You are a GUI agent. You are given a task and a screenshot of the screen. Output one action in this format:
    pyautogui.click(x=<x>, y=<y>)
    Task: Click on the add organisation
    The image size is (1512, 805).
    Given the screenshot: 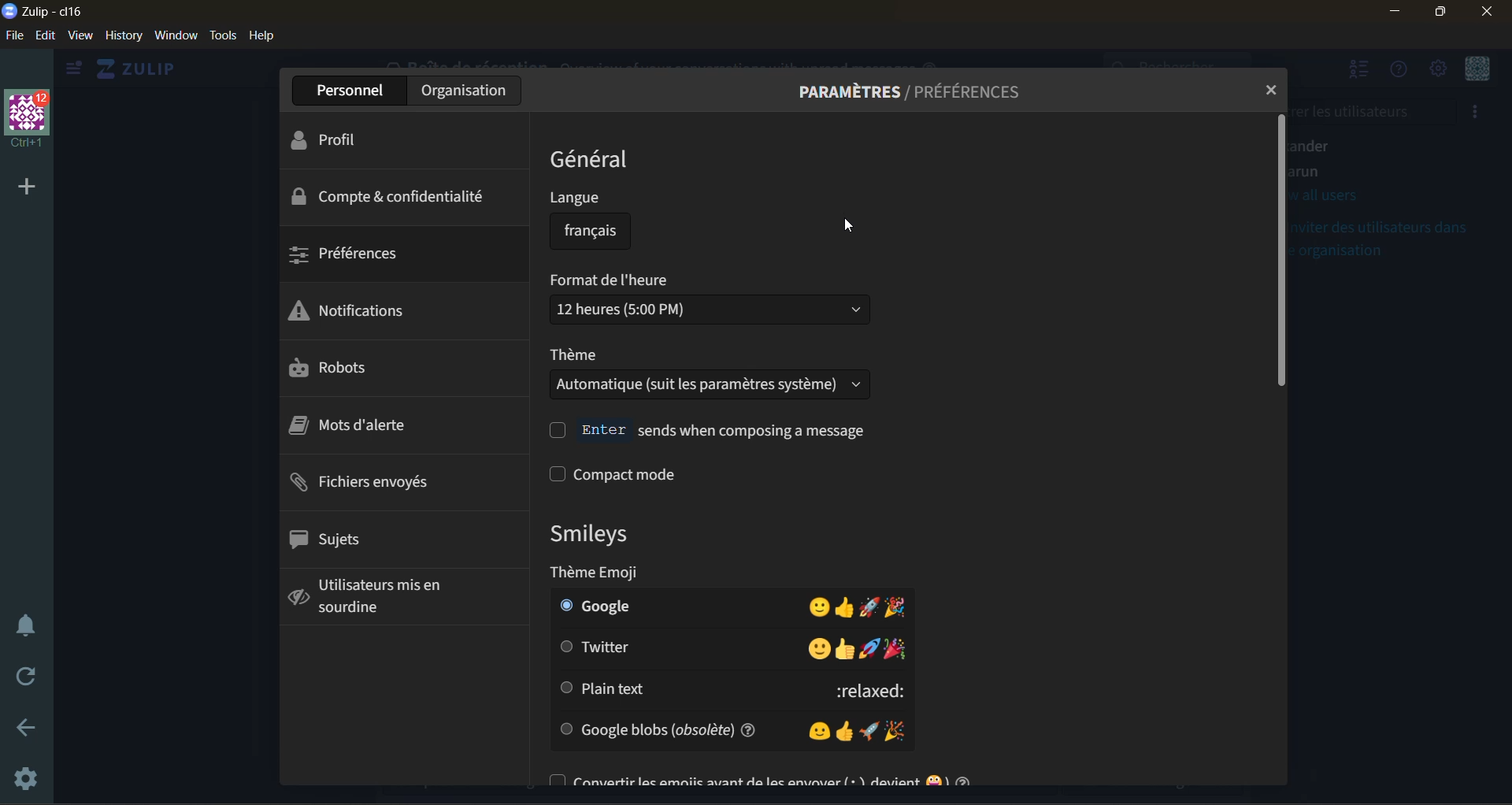 What is the action you would take?
    pyautogui.click(x=24, y=187)
    